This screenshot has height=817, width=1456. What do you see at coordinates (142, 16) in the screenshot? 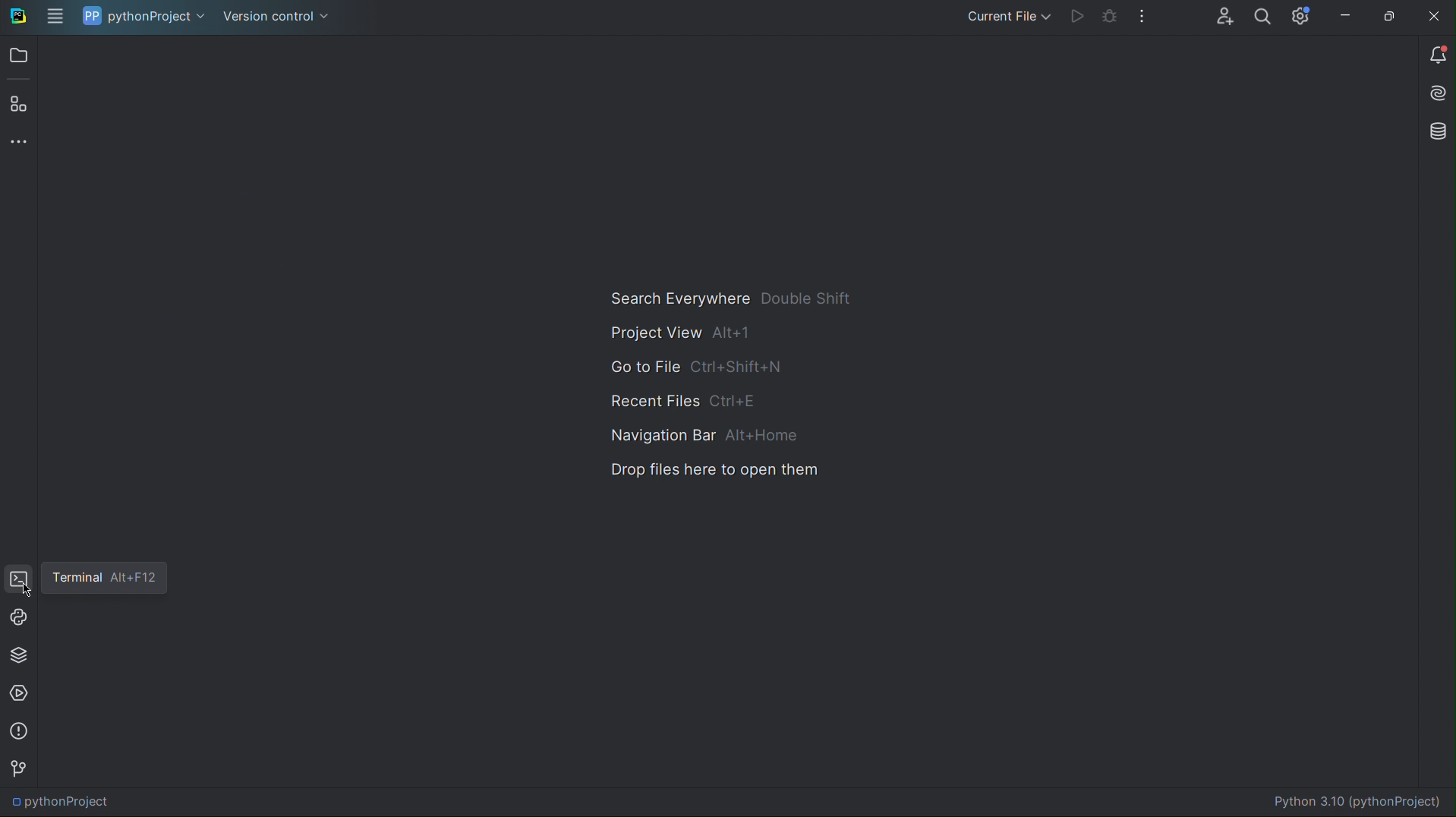
I see `pythonProject` at bounding box center [142, 16].